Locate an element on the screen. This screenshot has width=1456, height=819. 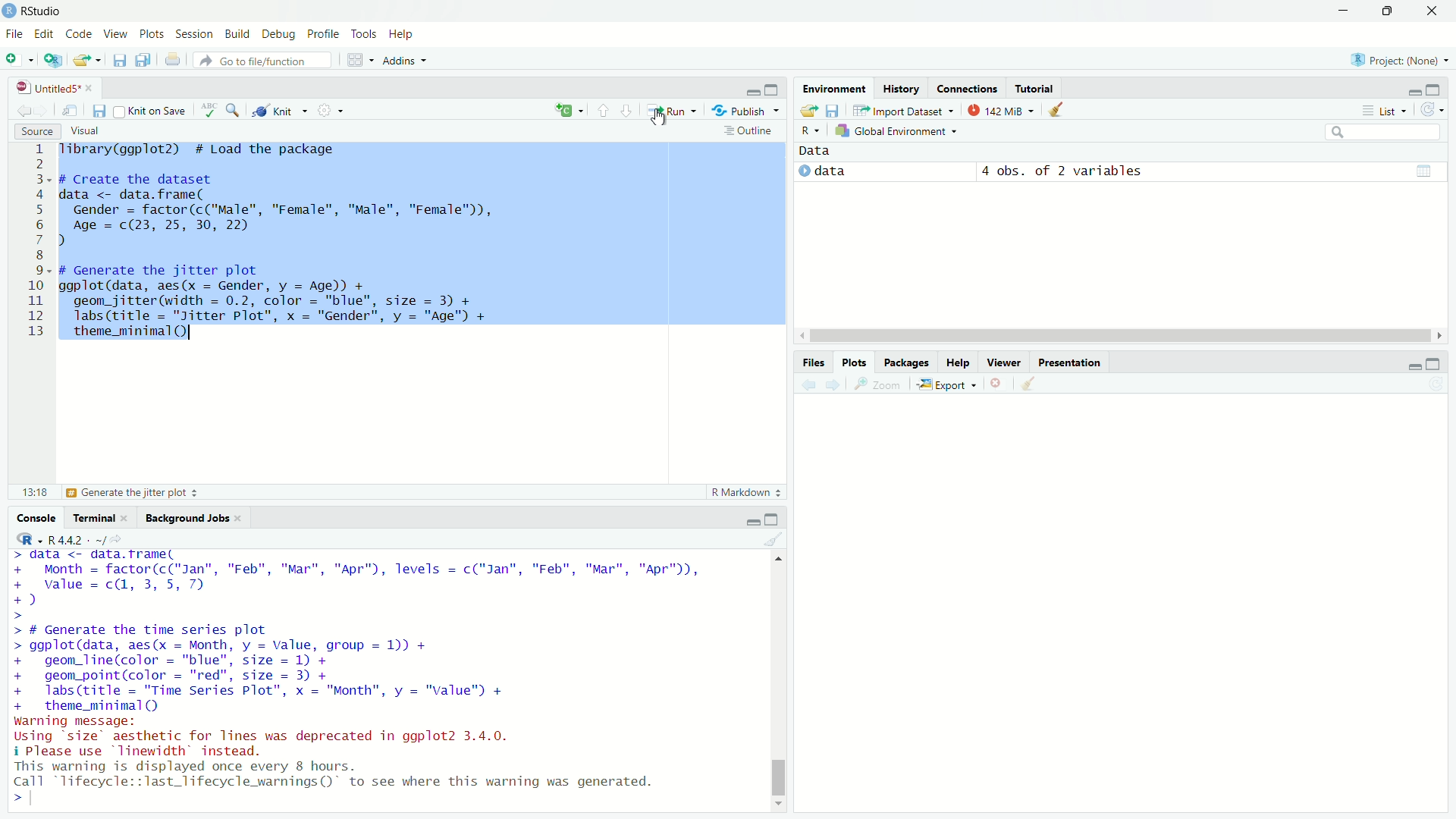
plots is located at coordinates (858, 362).